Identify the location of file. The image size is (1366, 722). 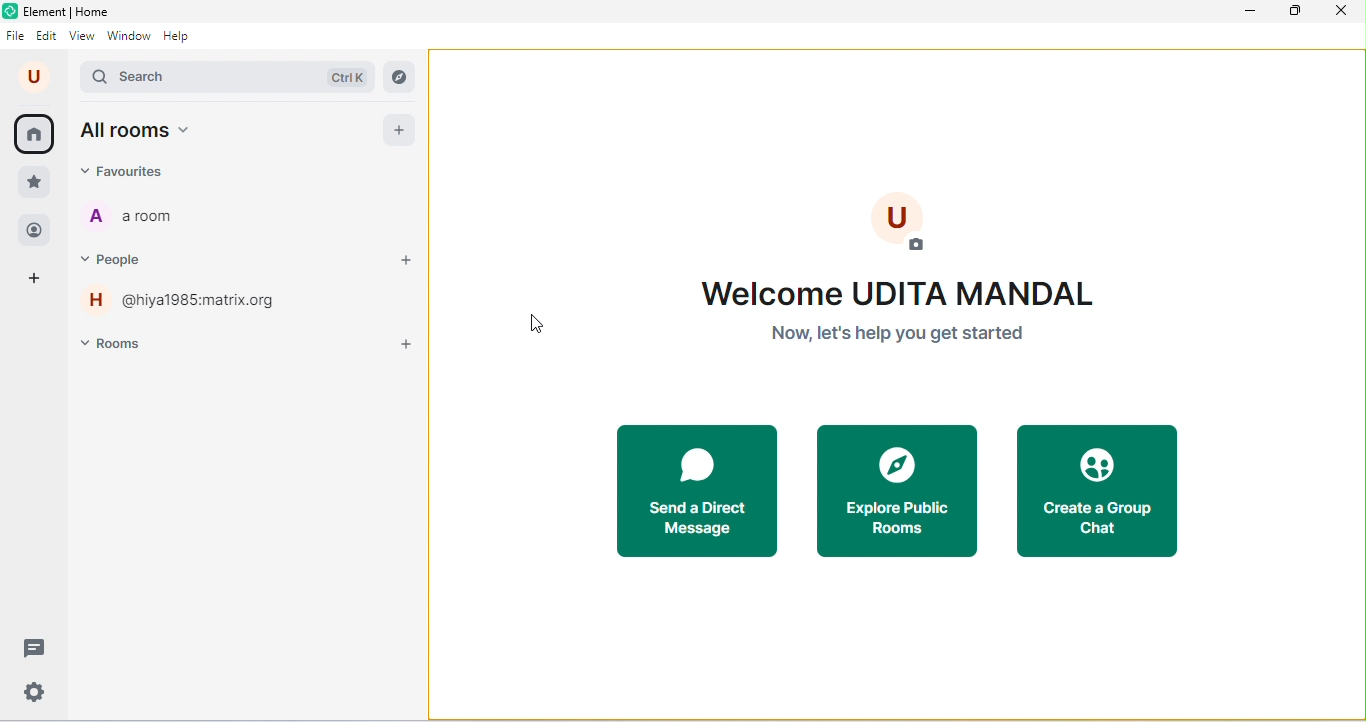
(16, 35).